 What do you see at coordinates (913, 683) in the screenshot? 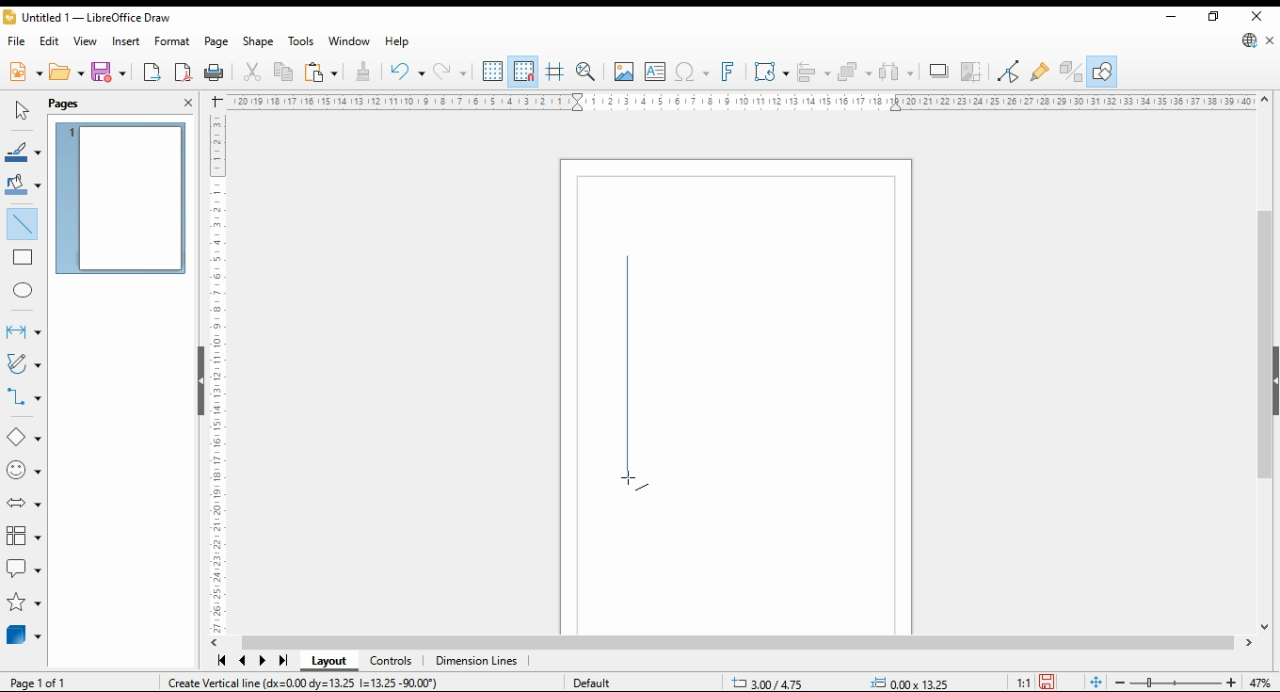
I see `0.00x0.00` at bounding box center [913, 683].